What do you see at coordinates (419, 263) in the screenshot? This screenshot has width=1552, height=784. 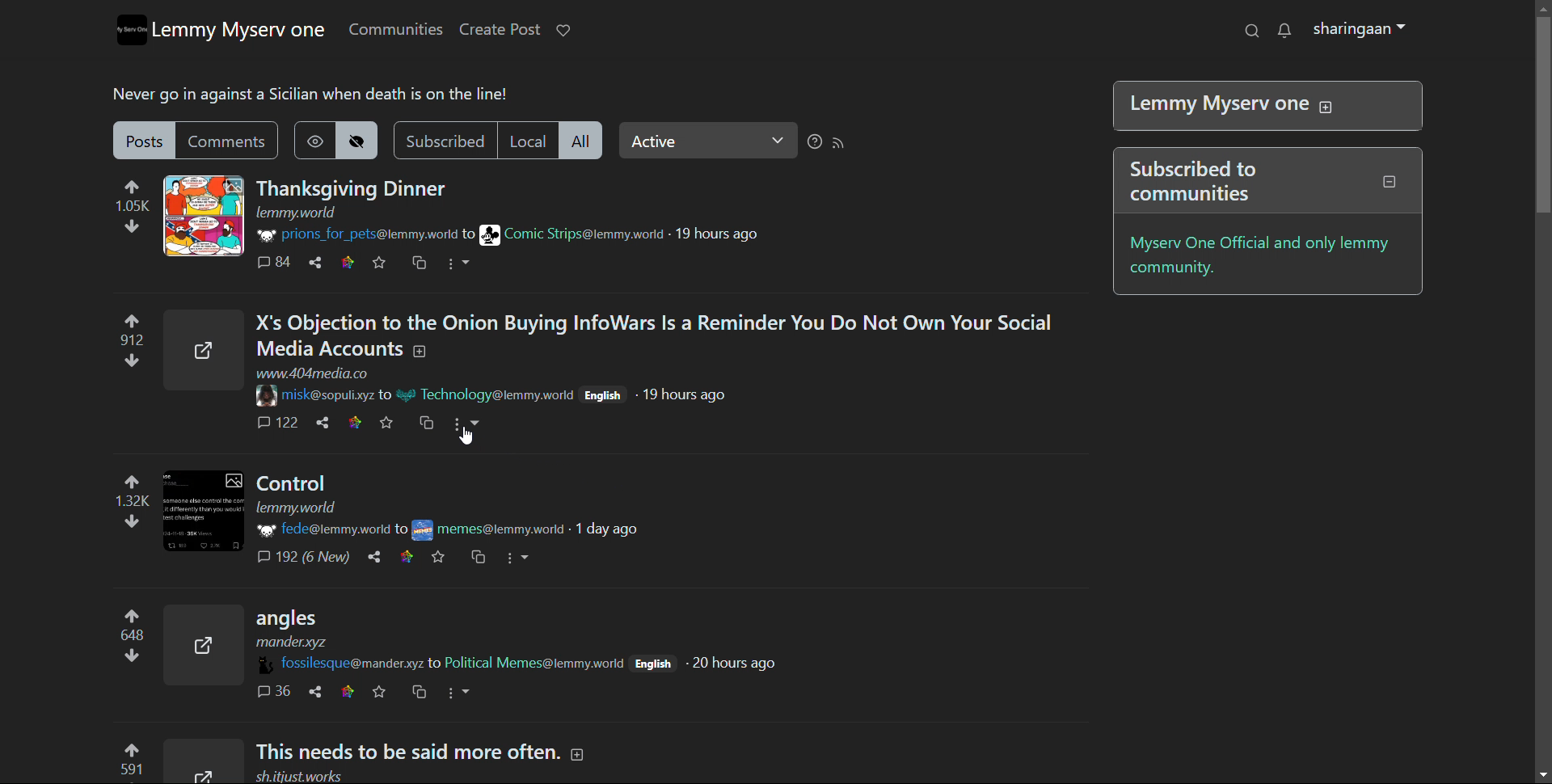 I see `cross post` at bounding box center [419, 263].